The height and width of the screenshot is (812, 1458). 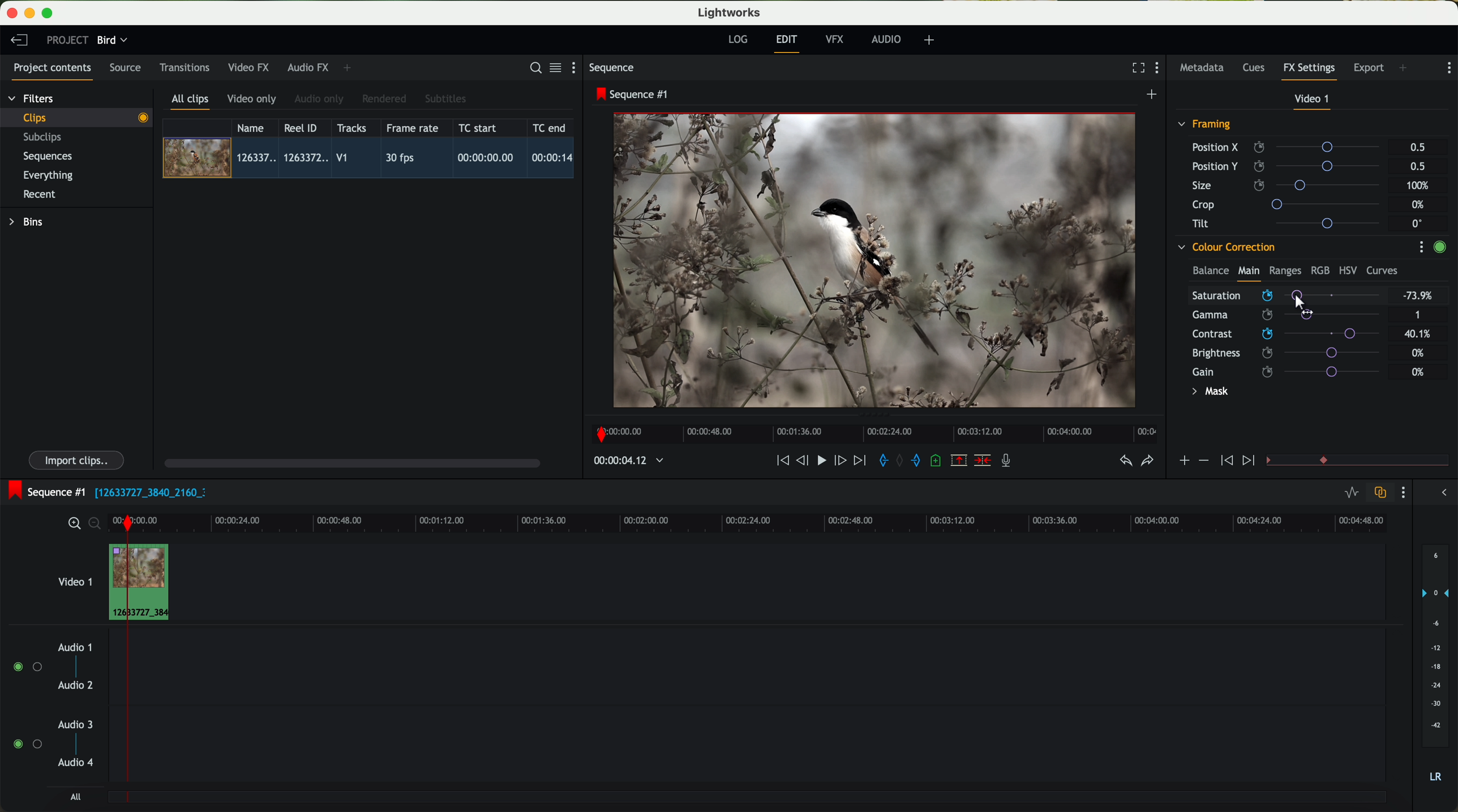 I want to click on rendered, so click(x=385, y=100).